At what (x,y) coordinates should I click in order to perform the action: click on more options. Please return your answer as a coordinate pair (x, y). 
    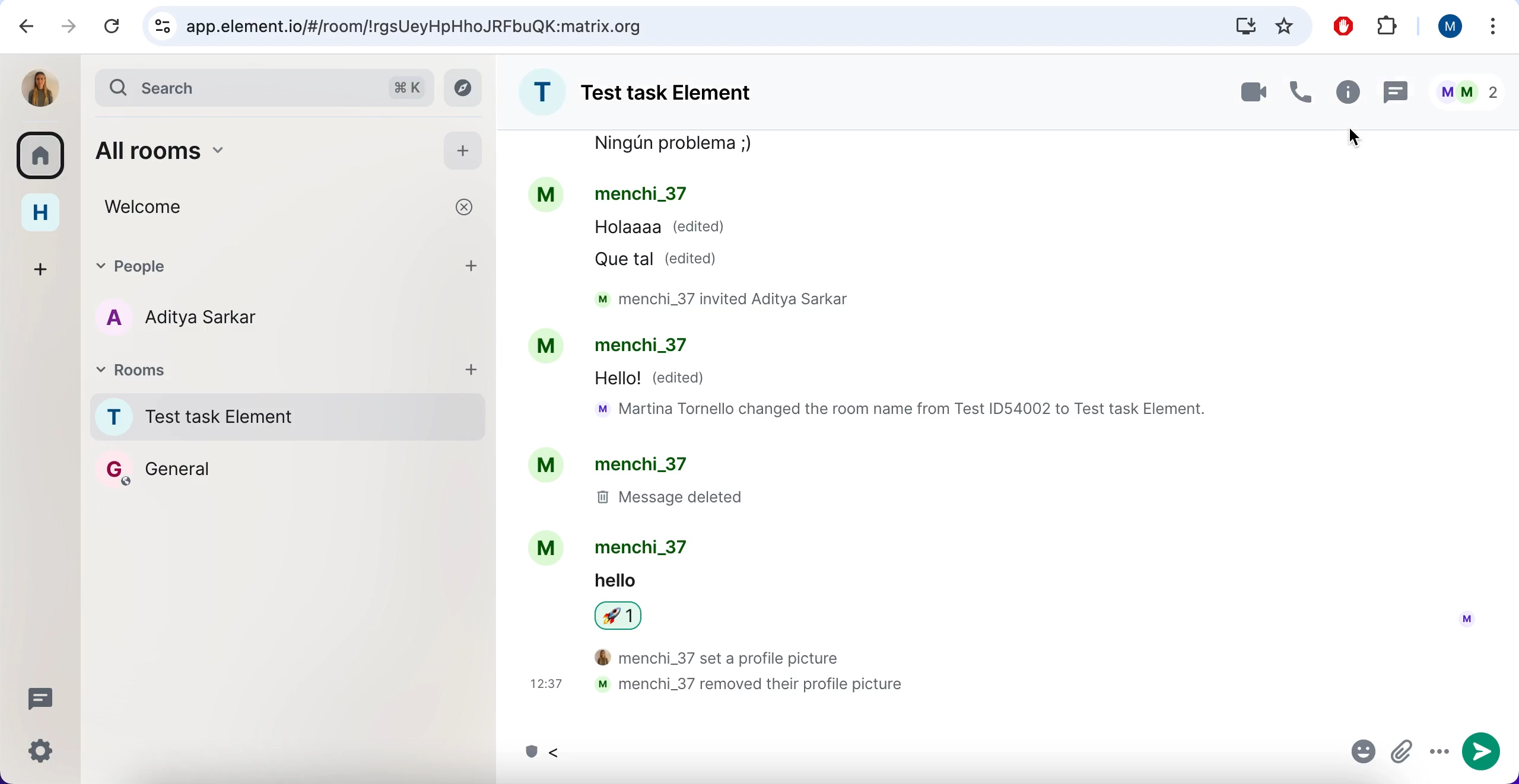
    Looking at the image, I should click on (1492, 26).